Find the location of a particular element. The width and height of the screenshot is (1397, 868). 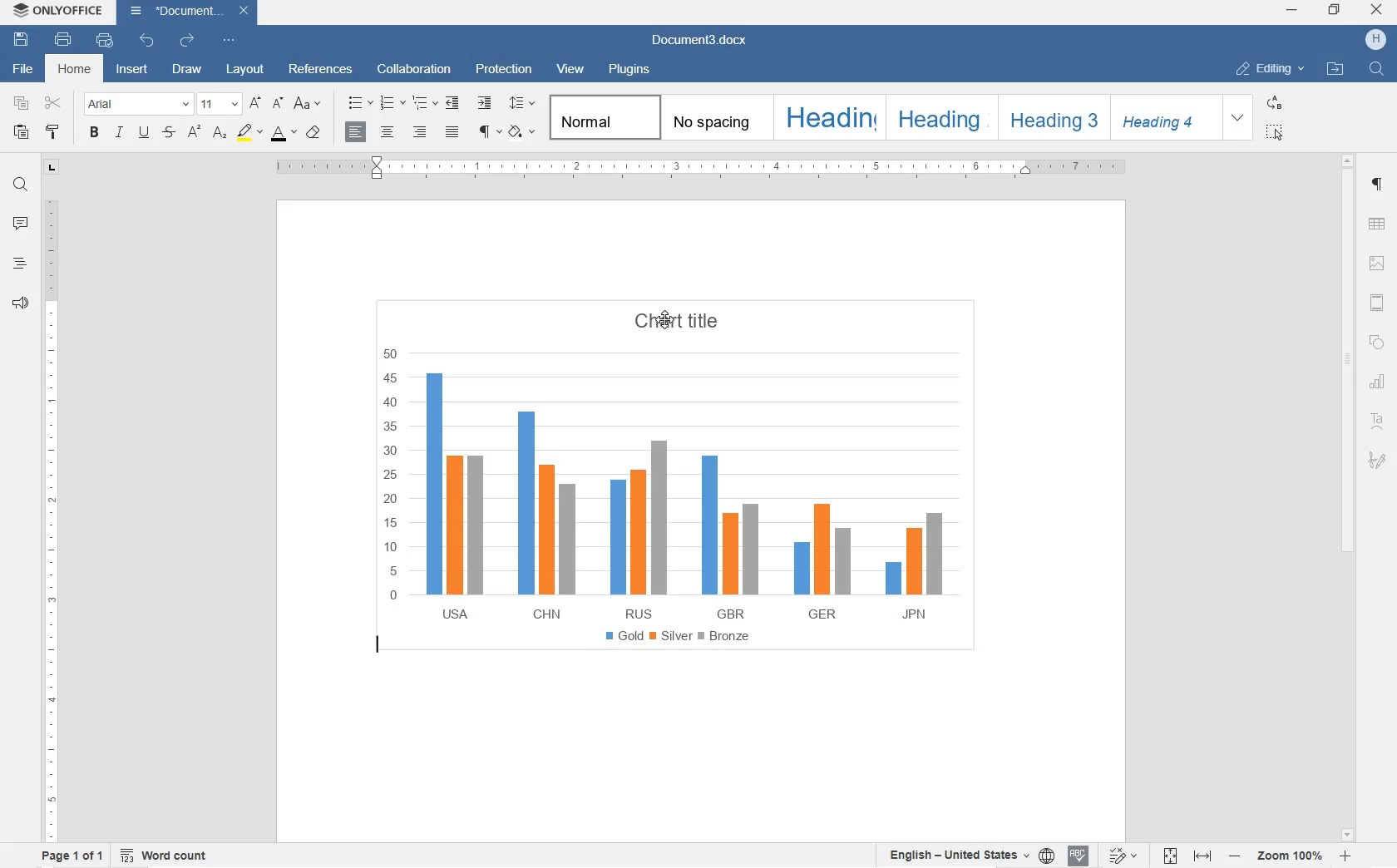

ALIGN LEFT is located at coordinates (355, 134).